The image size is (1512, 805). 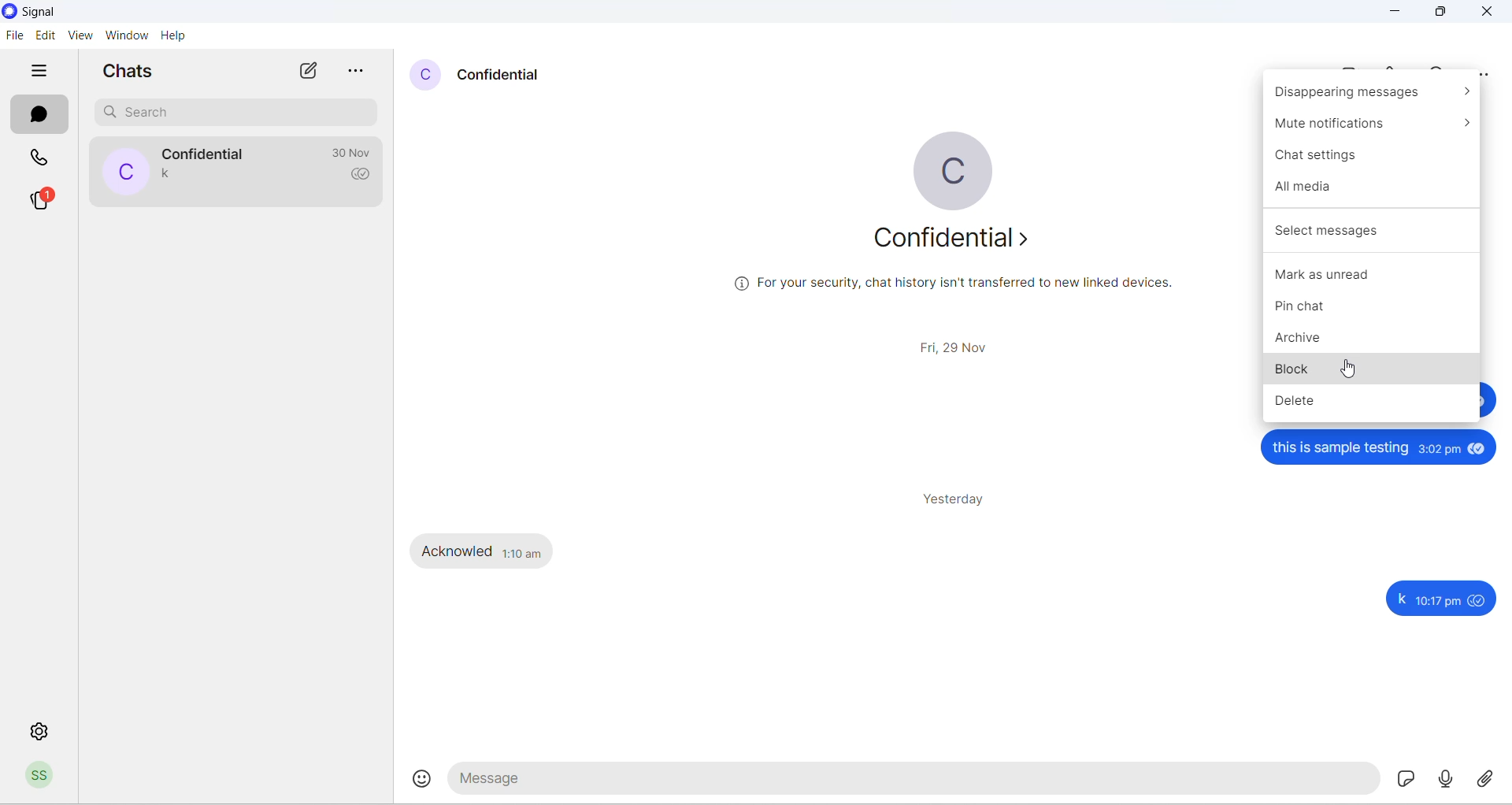 What do you see at coordinates (14, 34) in the screenshot?
I see `file` at bounding box center [14, 34].